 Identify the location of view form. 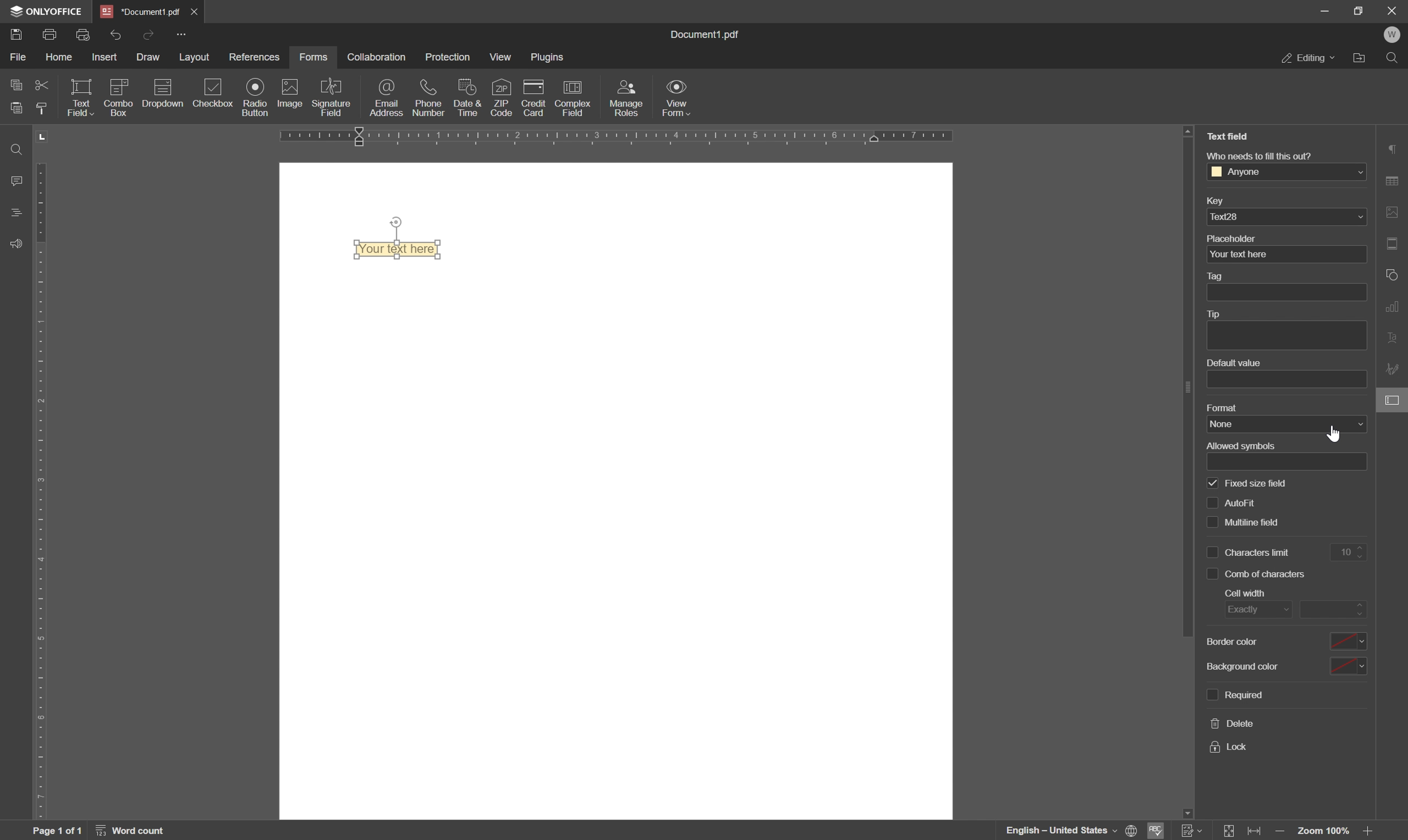
(677, 99).